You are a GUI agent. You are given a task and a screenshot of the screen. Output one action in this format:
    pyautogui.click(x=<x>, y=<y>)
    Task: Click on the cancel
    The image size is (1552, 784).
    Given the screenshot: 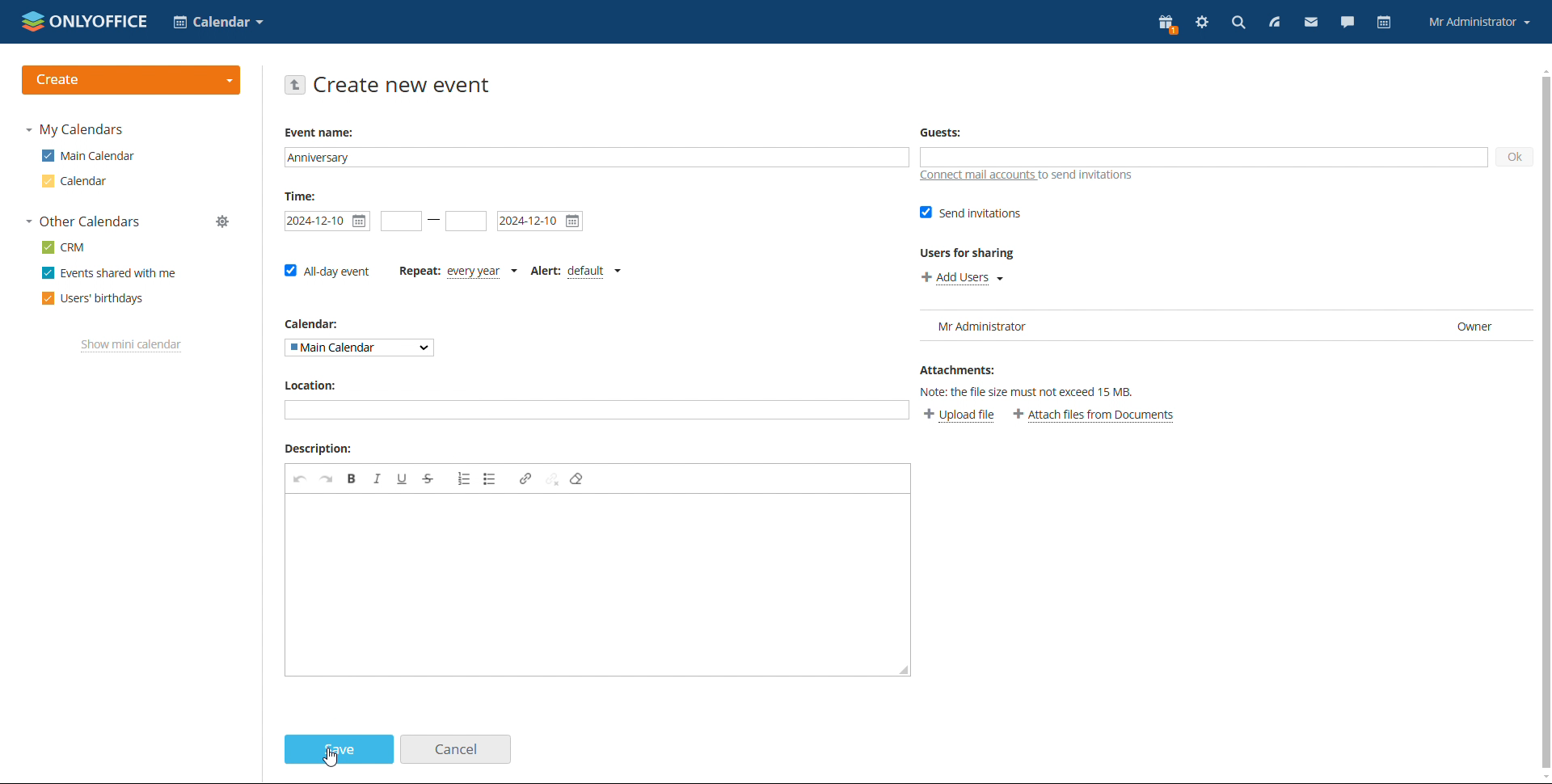 What is the action you would take?
    pyautogui.click(x=455, y=748)
    